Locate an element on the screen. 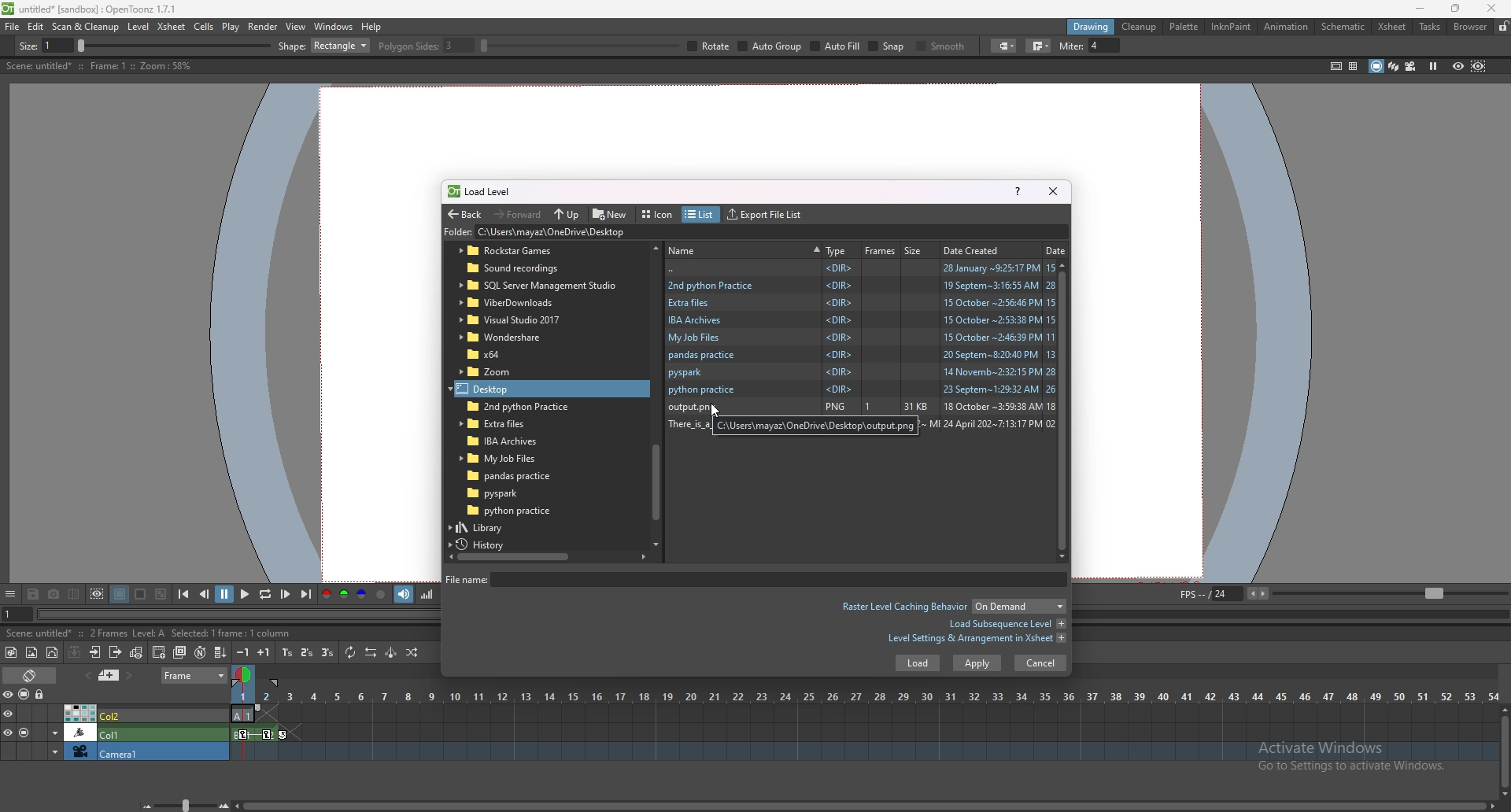 This screenshot has width=1511, height=812. tasks is located at coordinates (1429, 28).